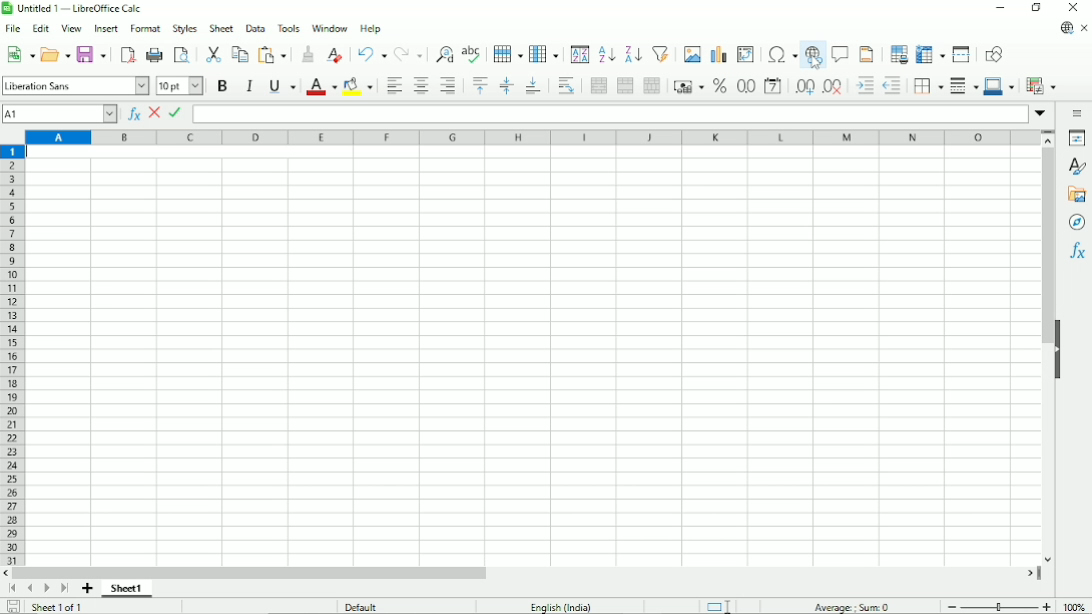 The width and height of the screenshot is (1092, 614). What do you see at coordinates (928, 86) in the screenshot?
I see `Borders` at bounding box center [928, 86].